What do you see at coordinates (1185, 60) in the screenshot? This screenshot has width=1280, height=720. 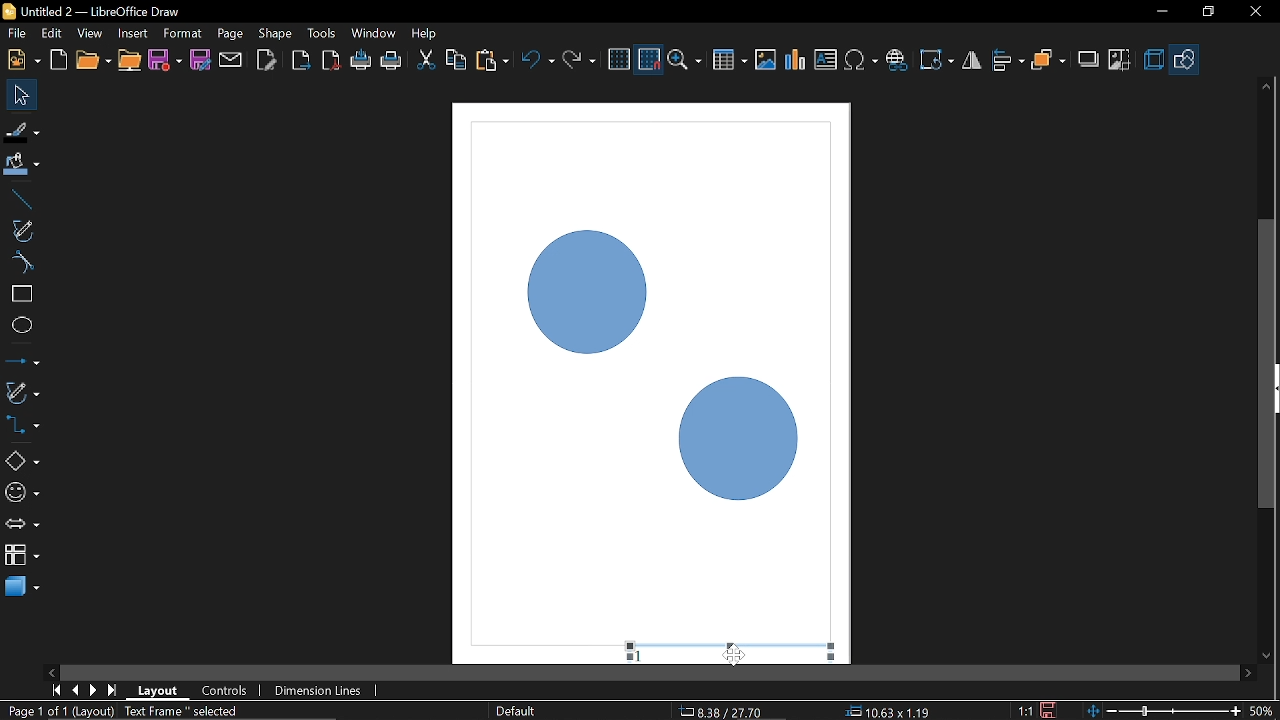 I see `Draw shapes` at bounding box center [1185, 60].